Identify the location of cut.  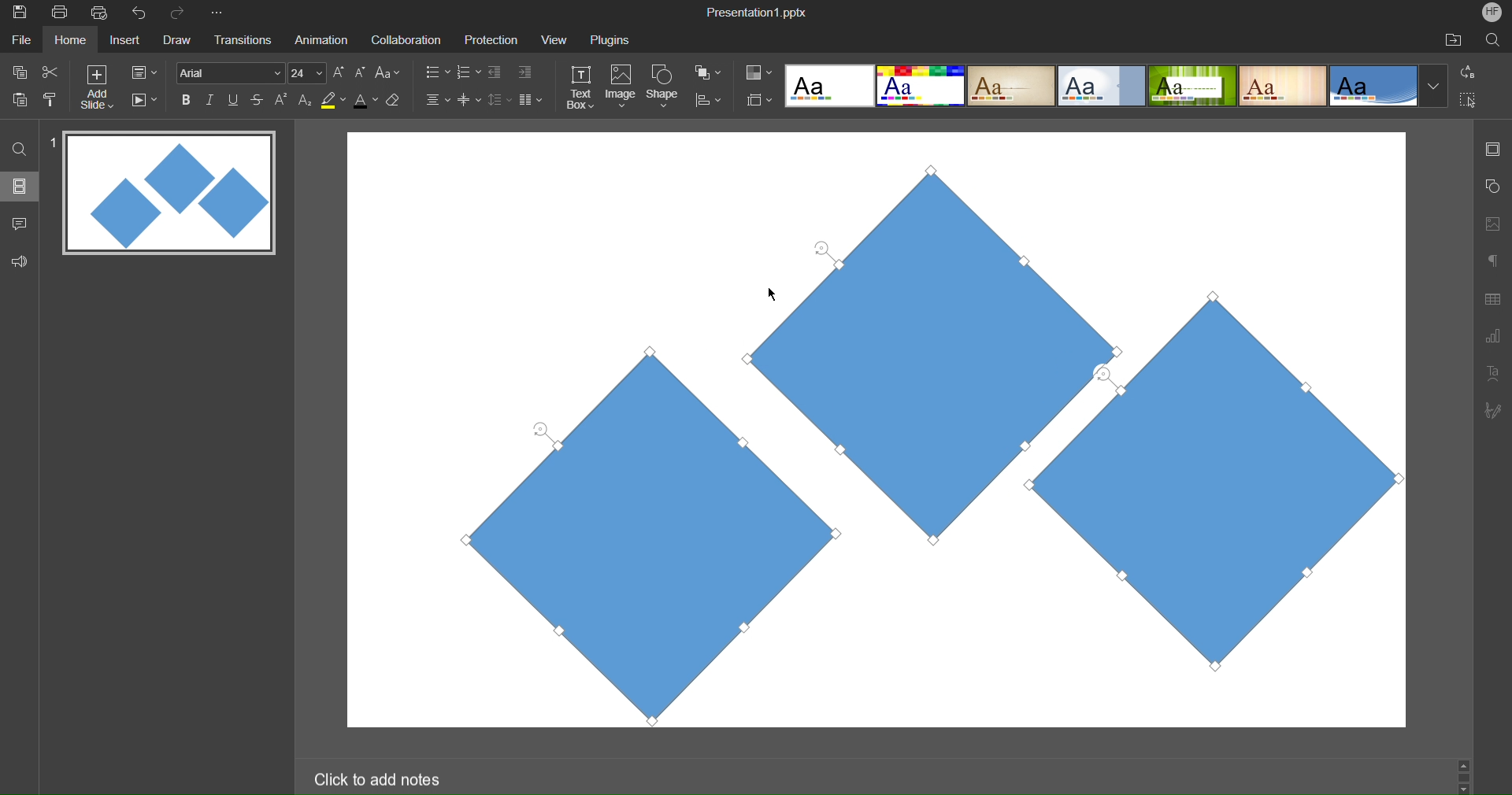
(50, 71).